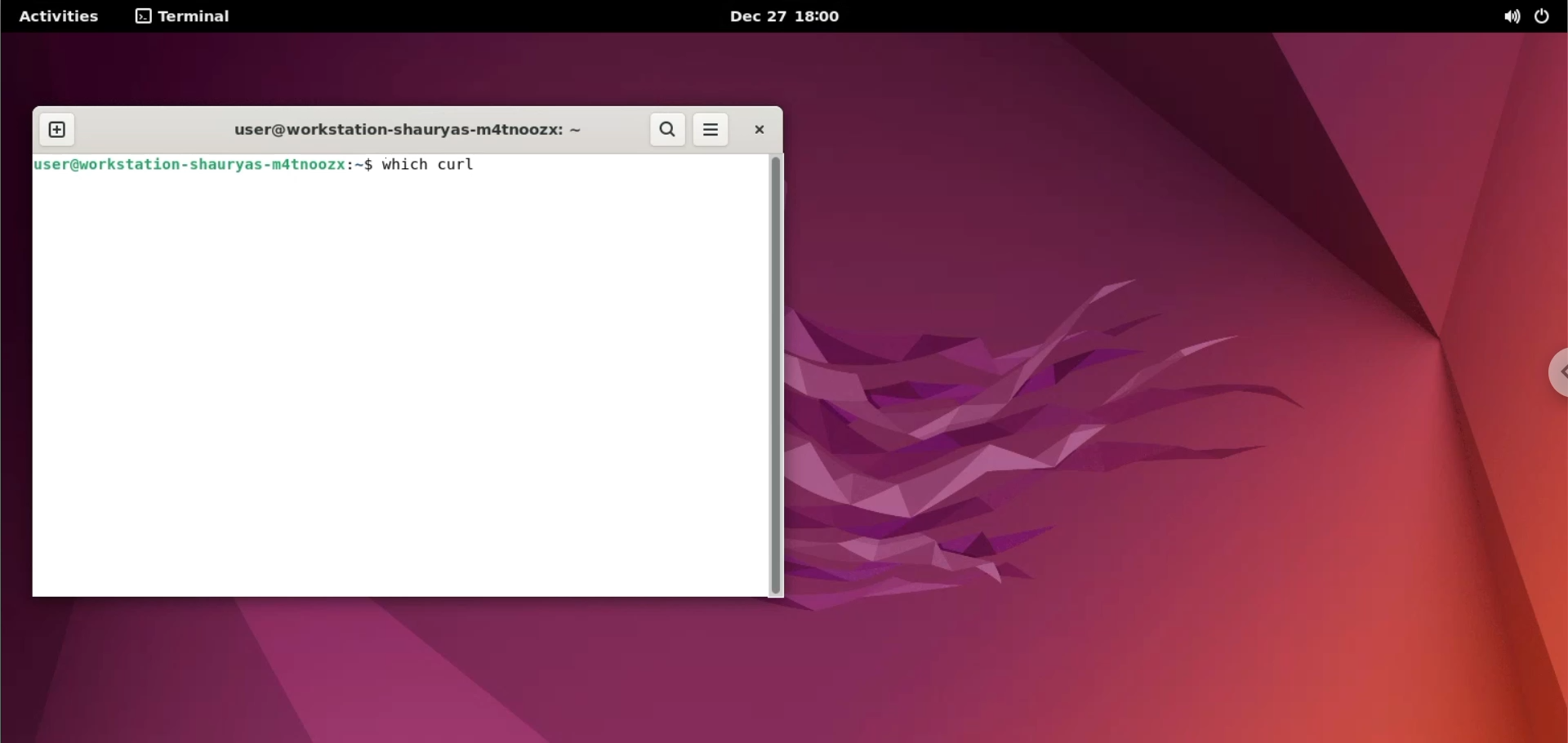 The width and height of the screenshot is (1568, 743). Describe the element at coordinates (484, 165) in the screenshot. I see `cursor` at that location.